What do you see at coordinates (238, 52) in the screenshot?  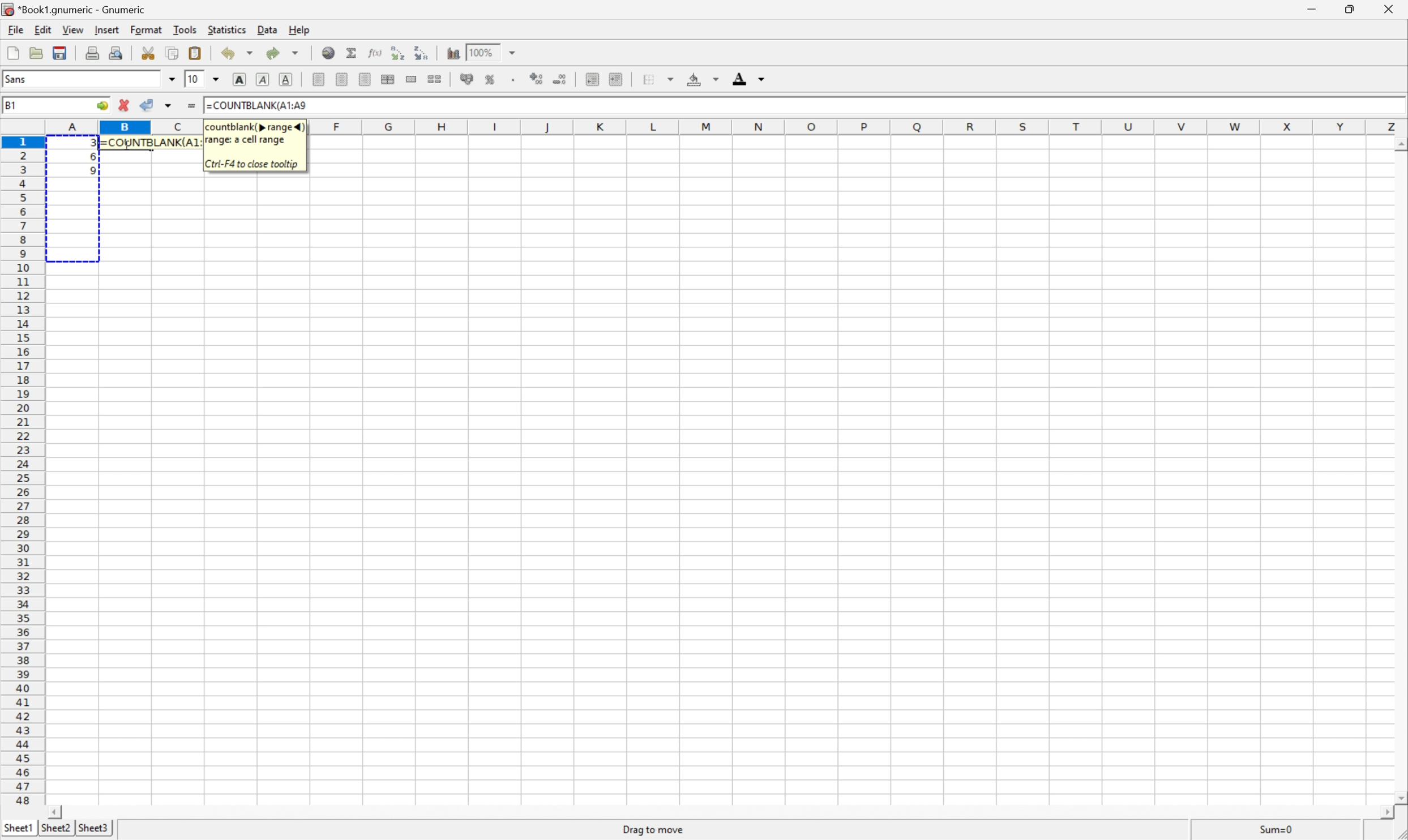 I see `Undo` at bounding box center [238, 52].